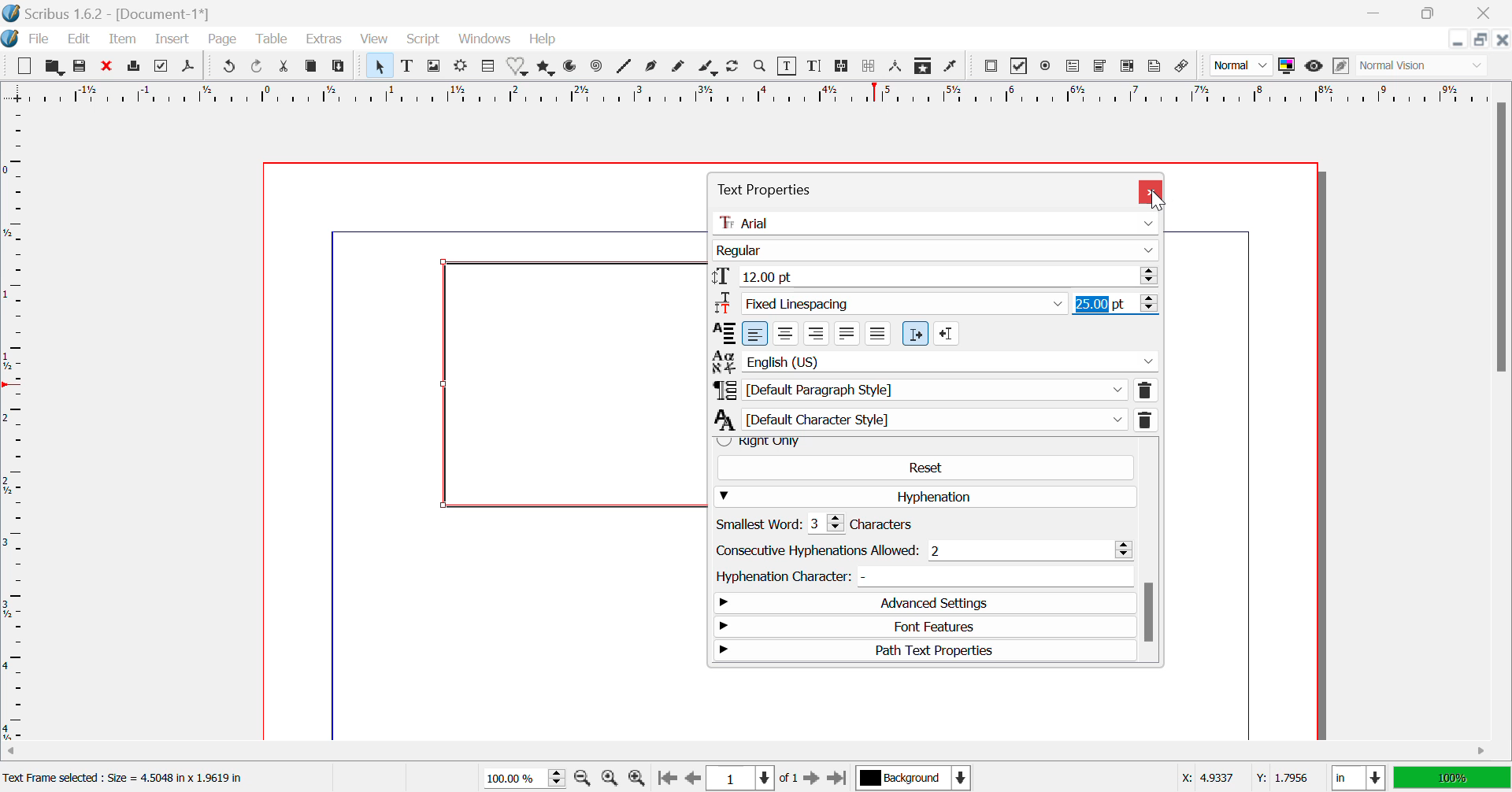 Image resolution: width=1512 pixels, height=792 pixels. I want to click on Zoom, so click(762, 68).